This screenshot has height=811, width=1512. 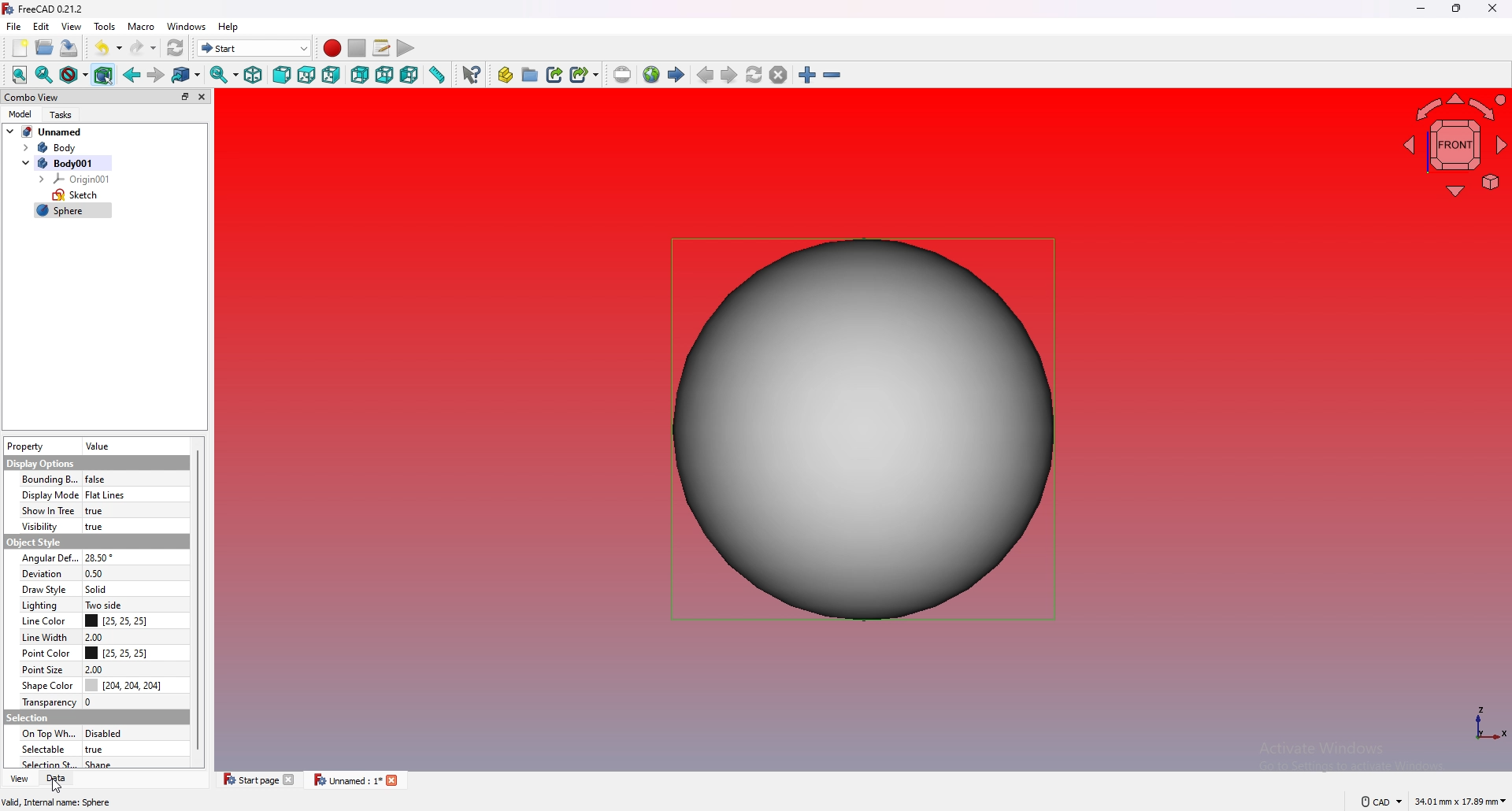 I want to click on selection, so click(x=38, y=717).